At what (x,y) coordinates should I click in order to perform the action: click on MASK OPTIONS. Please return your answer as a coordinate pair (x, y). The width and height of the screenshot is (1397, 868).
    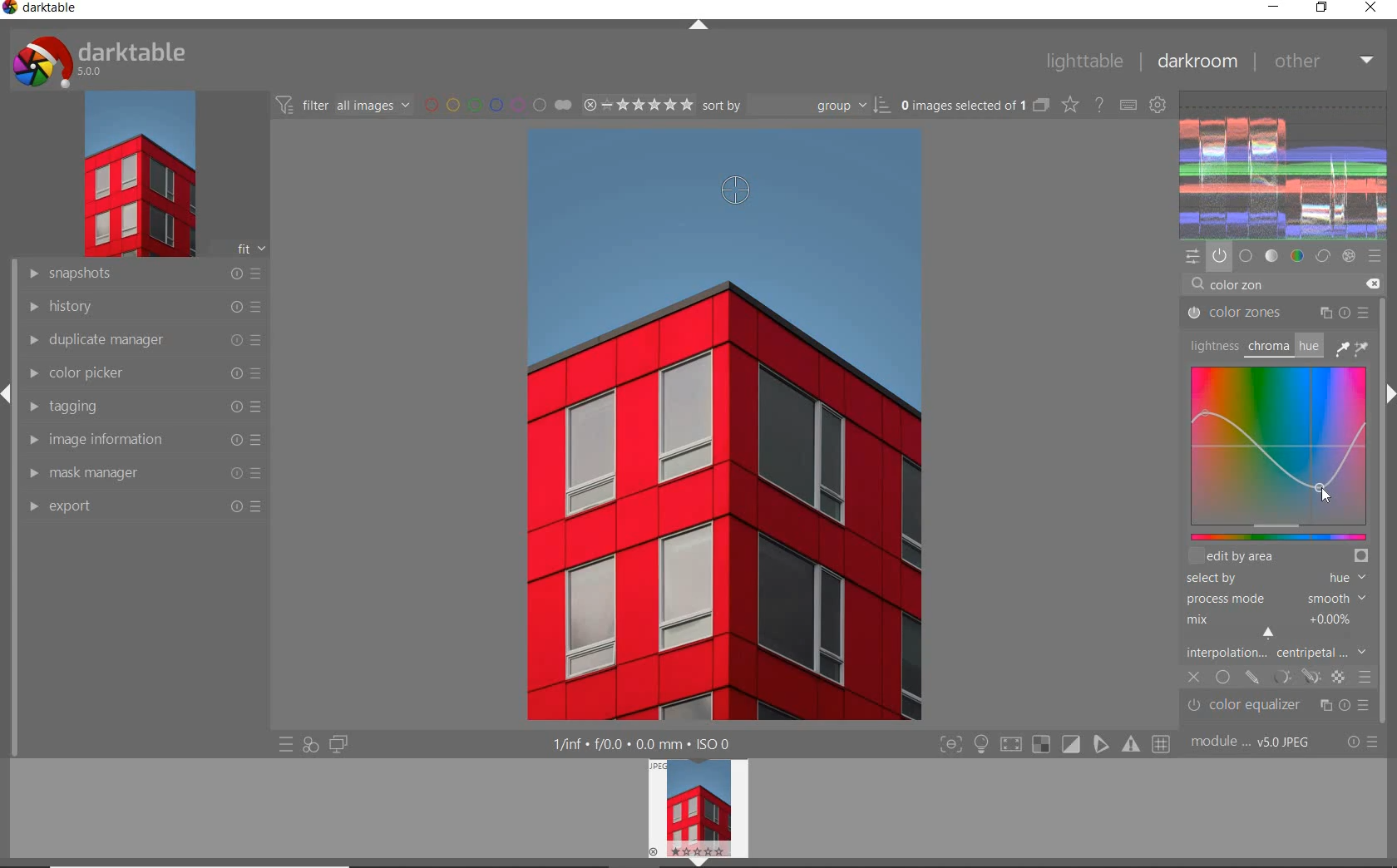
    Looking at the image, I should click on (1294, 677).